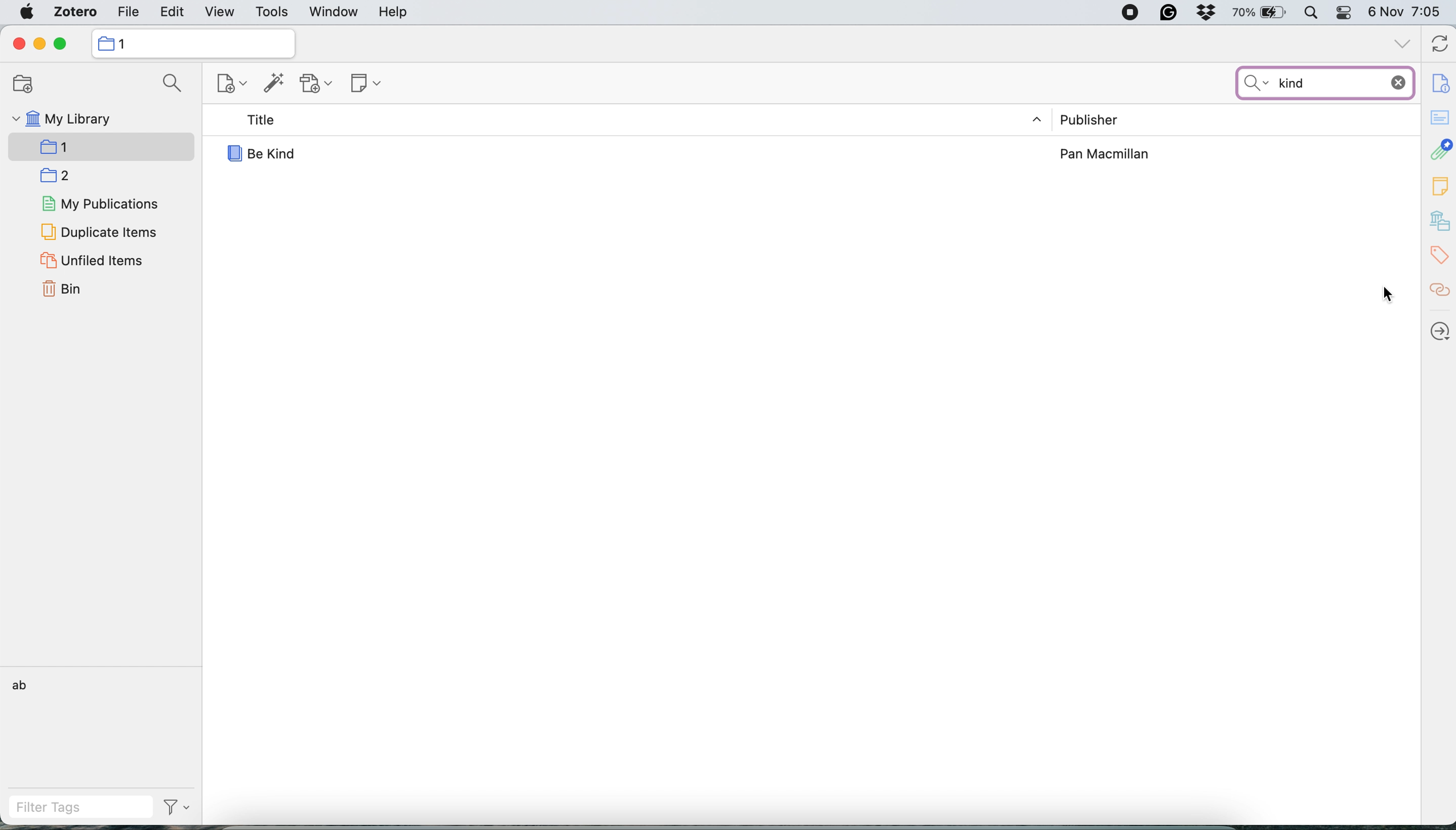 The height and width of the screenshot is (830, 1456). What do you see at coordinates (107, 44) in the screenshot?
I see `icon` at bounding box center [107, 44].